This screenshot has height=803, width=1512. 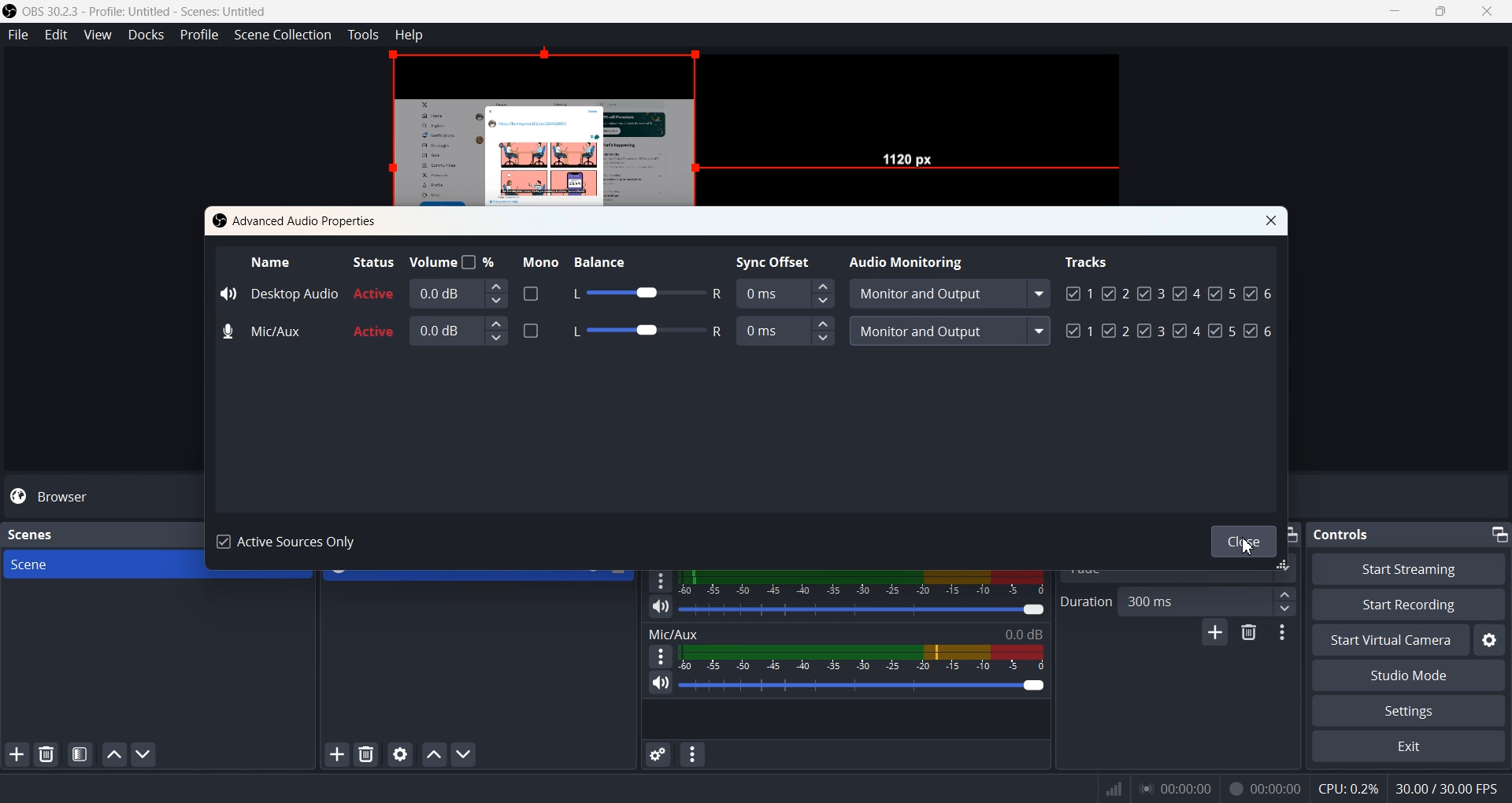 I want to click on Monitor and Output, so click(x=948, y=294).